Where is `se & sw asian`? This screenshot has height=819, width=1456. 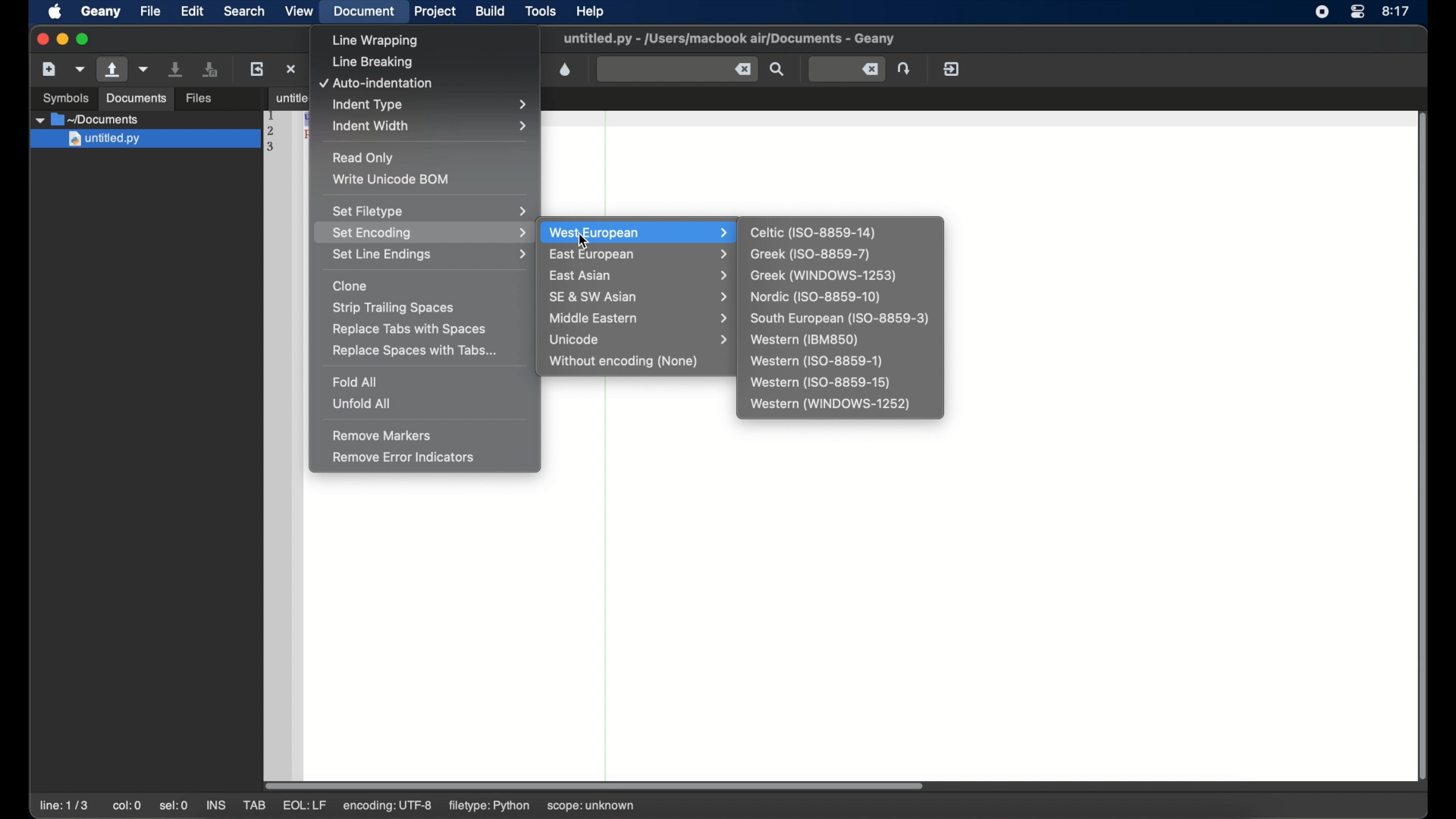 se & sw asian is located at coordinates (642, 297).